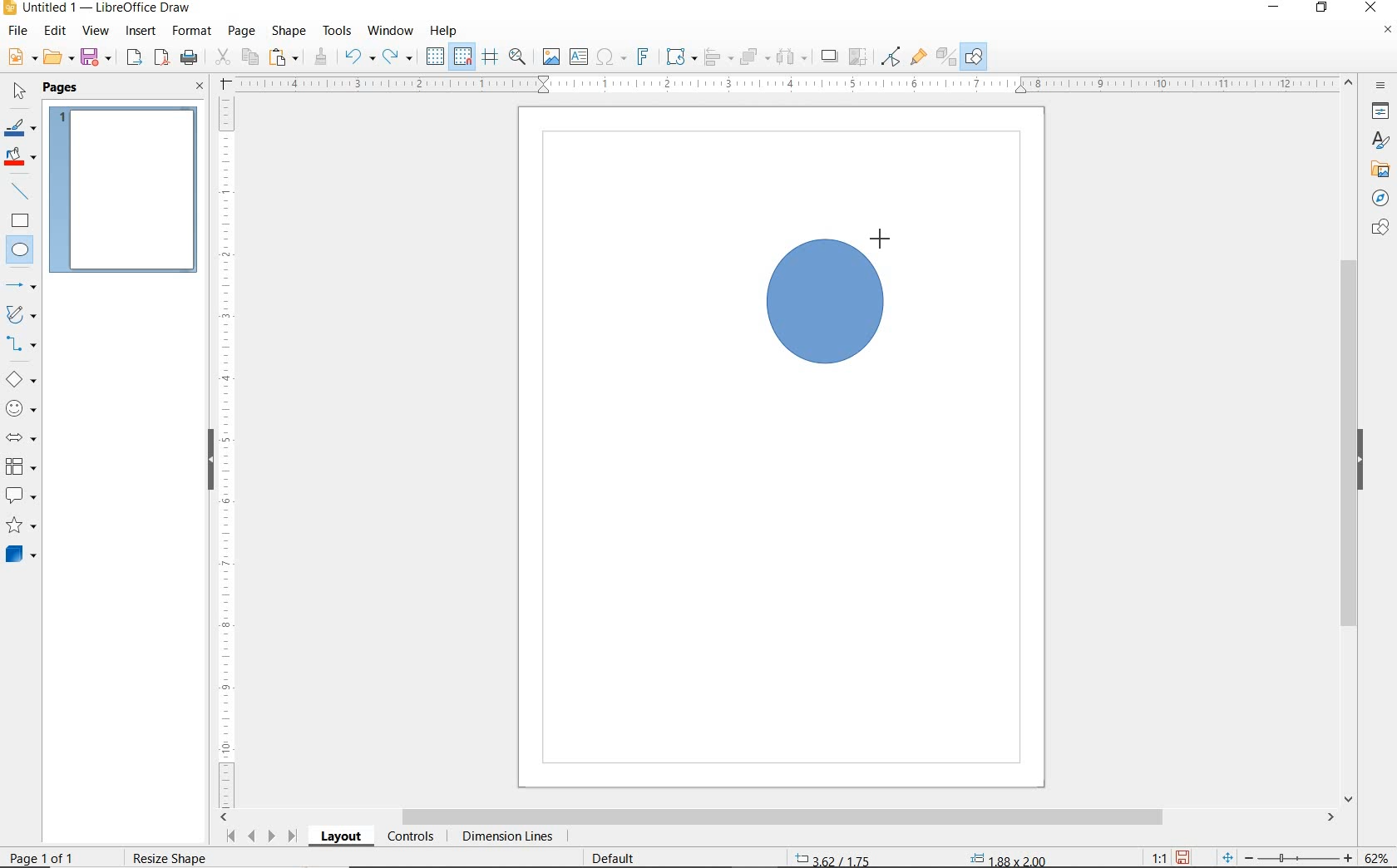 Image resolution: width=1397 pixels, height=868 pixels. Describe the element at coordinates (437, 57) in the screenshot. I see `DISPLAY GRID` at that location.